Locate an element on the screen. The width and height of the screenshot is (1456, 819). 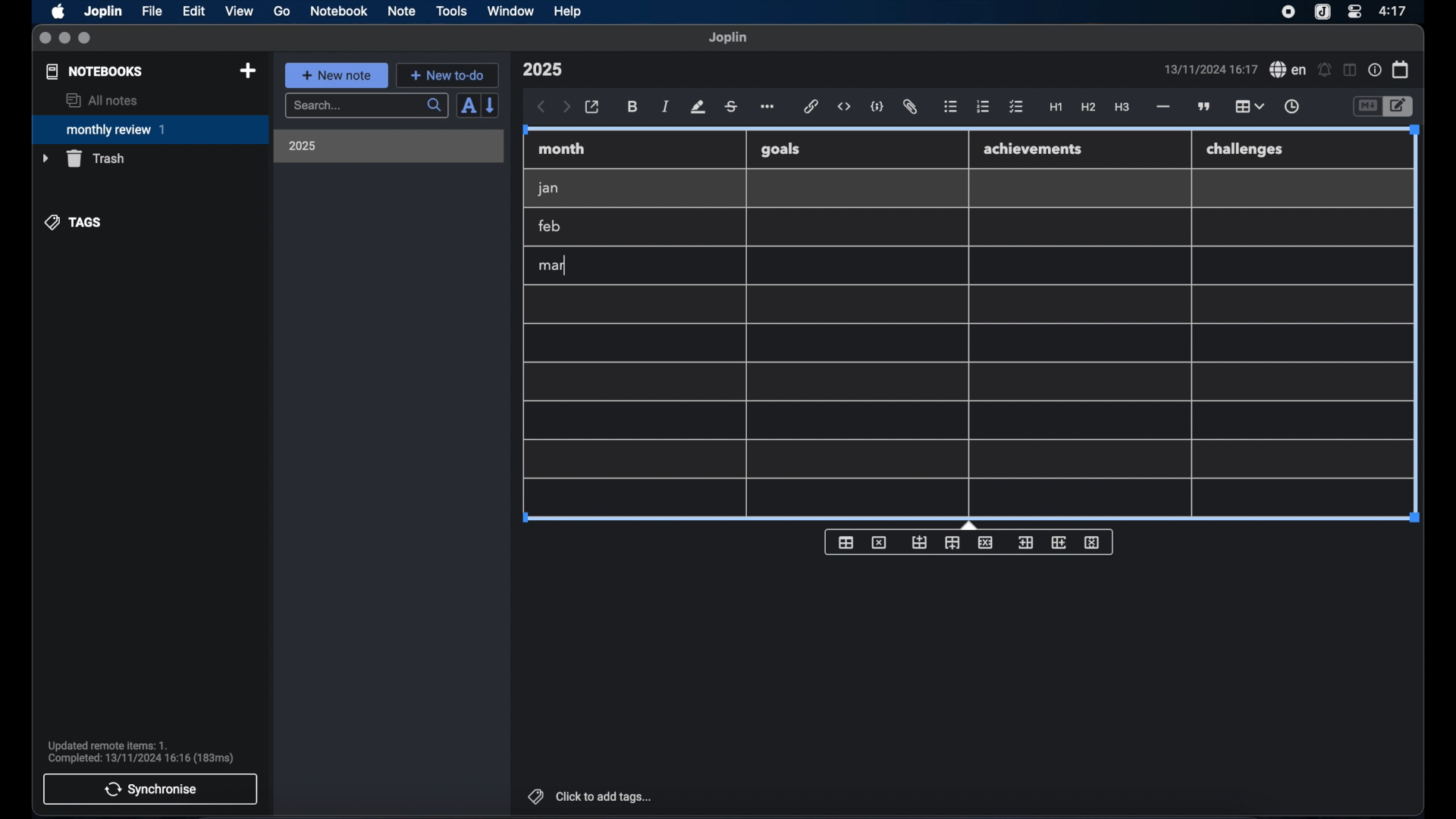
jan is located at coordinates (548, 189).